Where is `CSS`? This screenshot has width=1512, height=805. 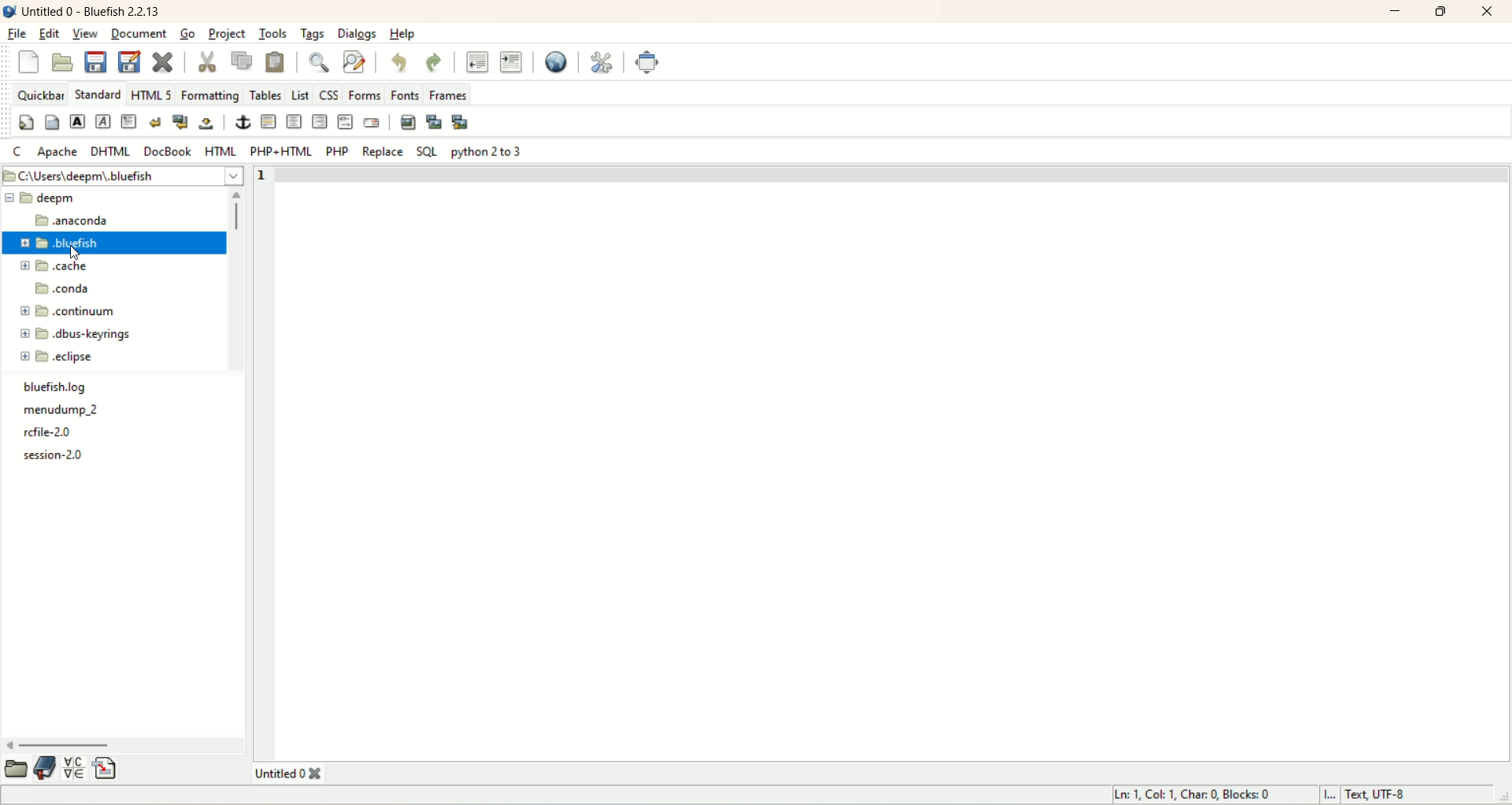 CSS is located at coordinates (330, 95).